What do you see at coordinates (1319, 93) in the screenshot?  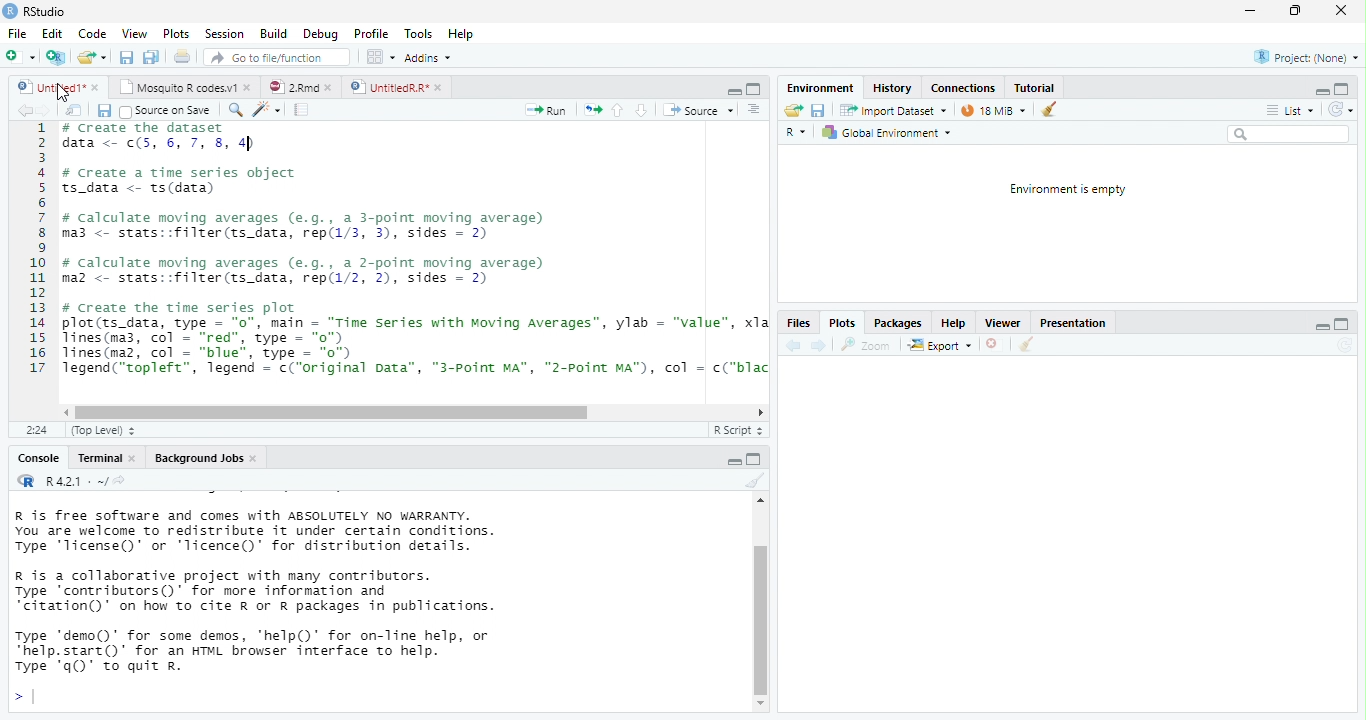 I see `minimize` at bounding box center [1319, 93].